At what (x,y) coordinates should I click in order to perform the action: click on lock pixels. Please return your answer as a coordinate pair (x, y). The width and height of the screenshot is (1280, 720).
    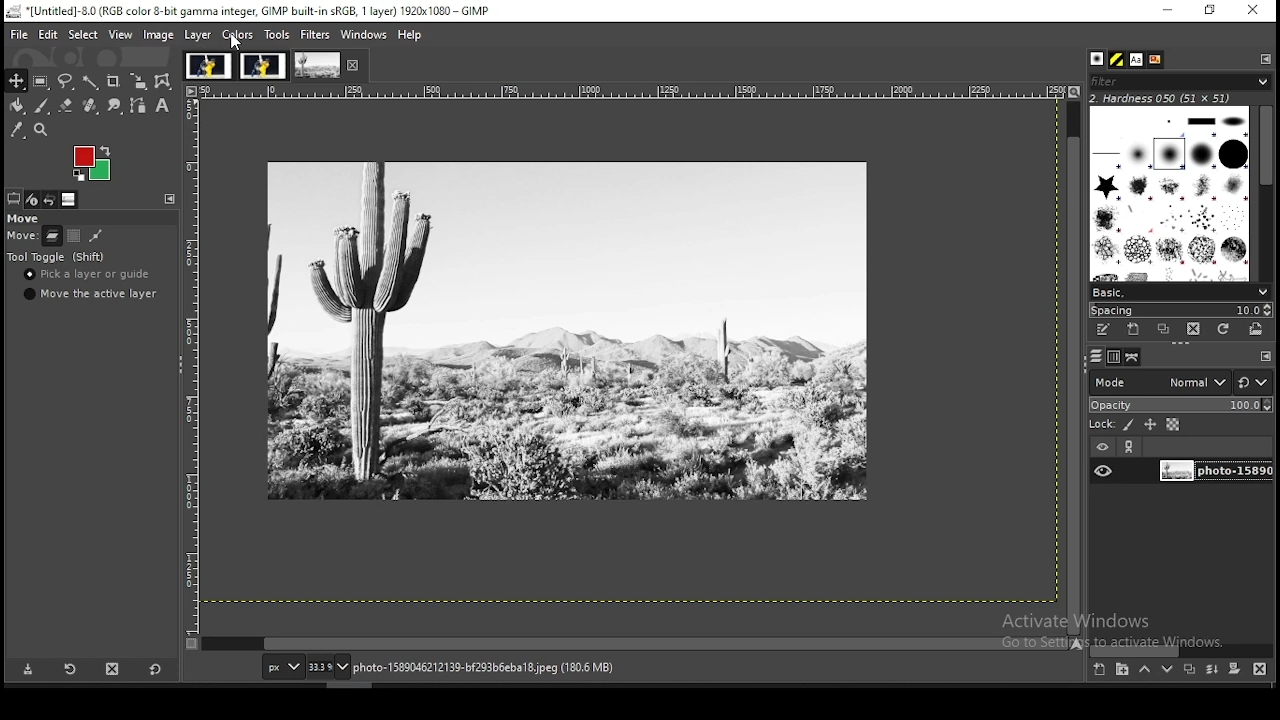
    Looking at the image, I should click on (1111, 423).